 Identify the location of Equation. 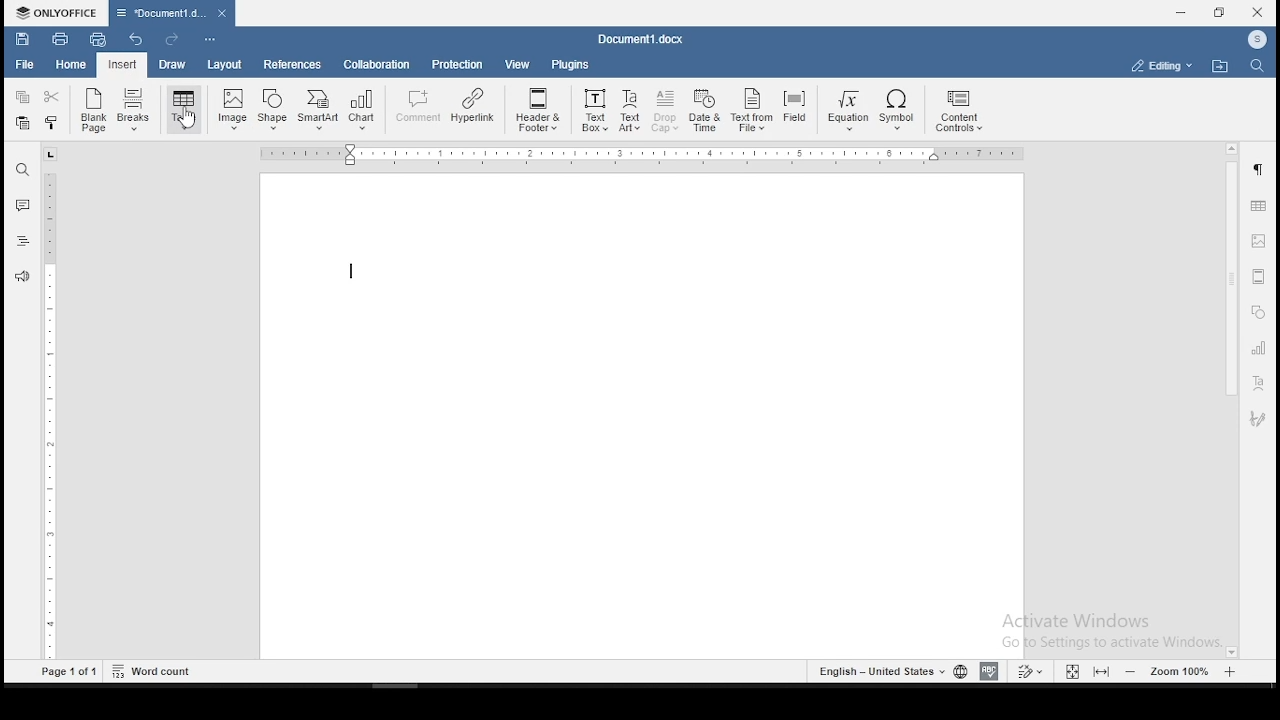
(845, 112).